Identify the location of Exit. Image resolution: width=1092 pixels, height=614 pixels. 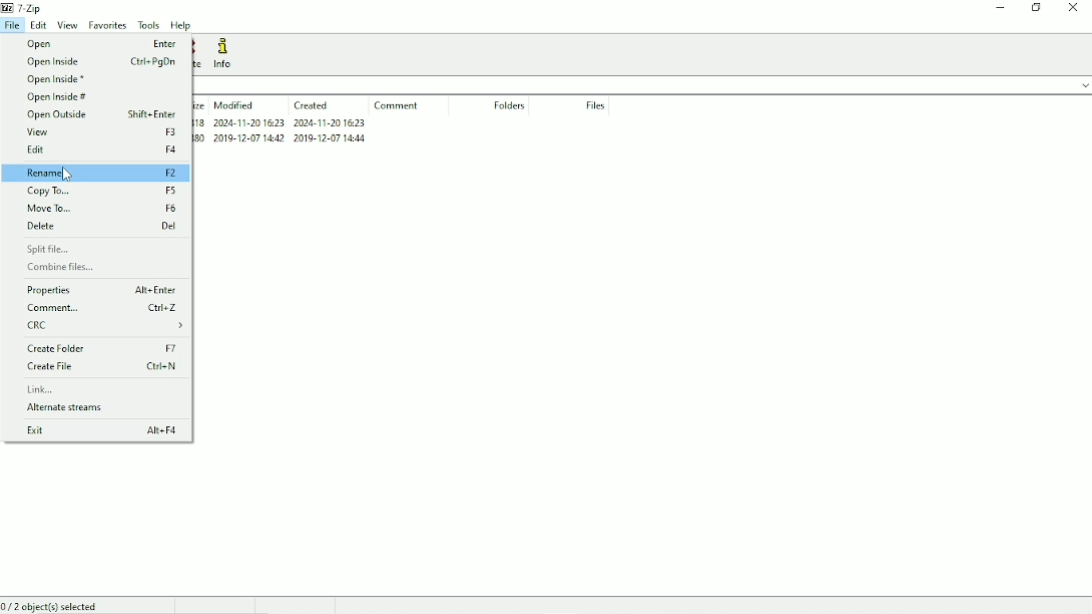
(100, 431).